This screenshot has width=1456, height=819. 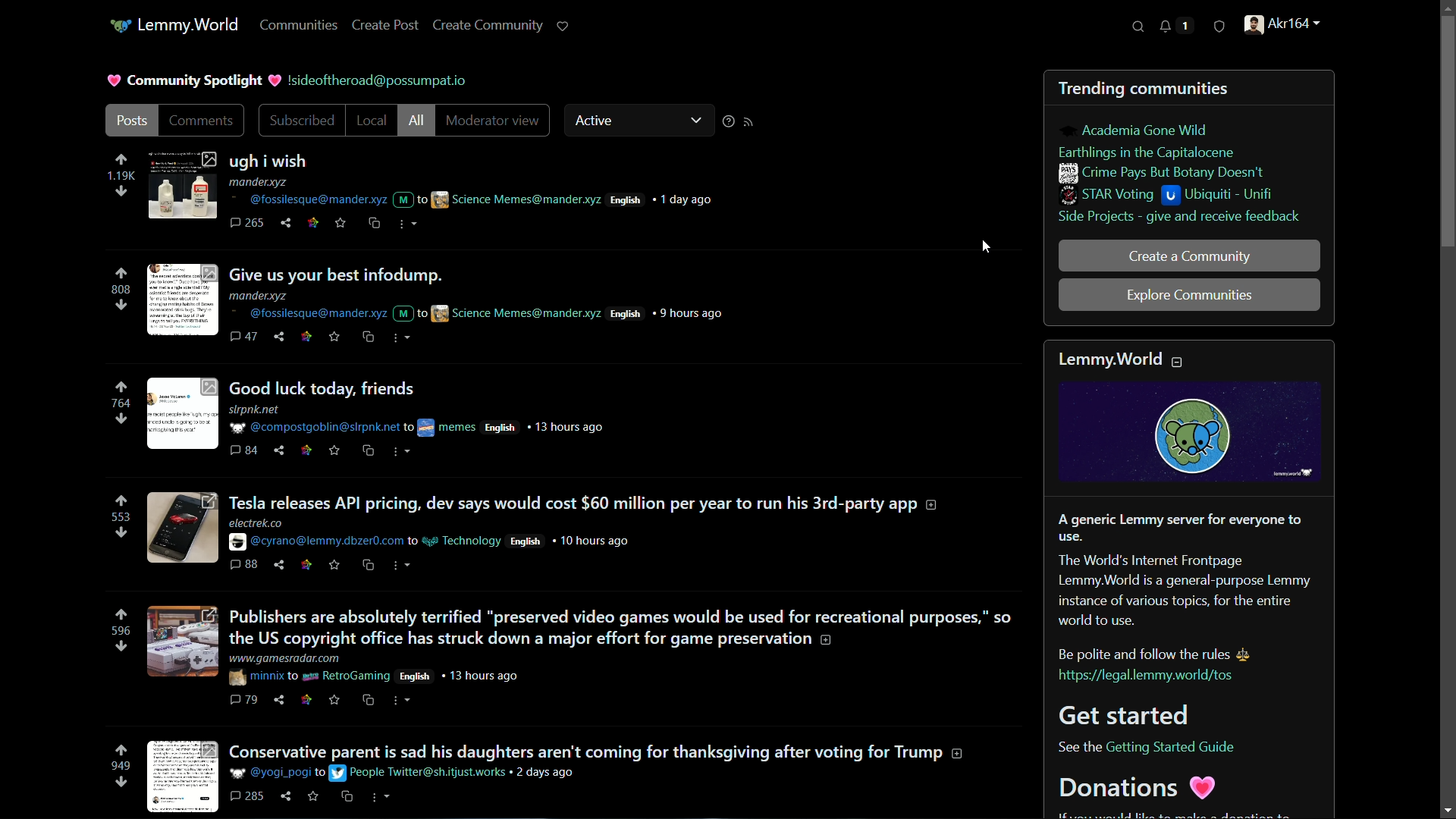 What do you see at coordinates (375, 224) in the screenshot?
I see `cross psot` at bounding box center [375, 224].